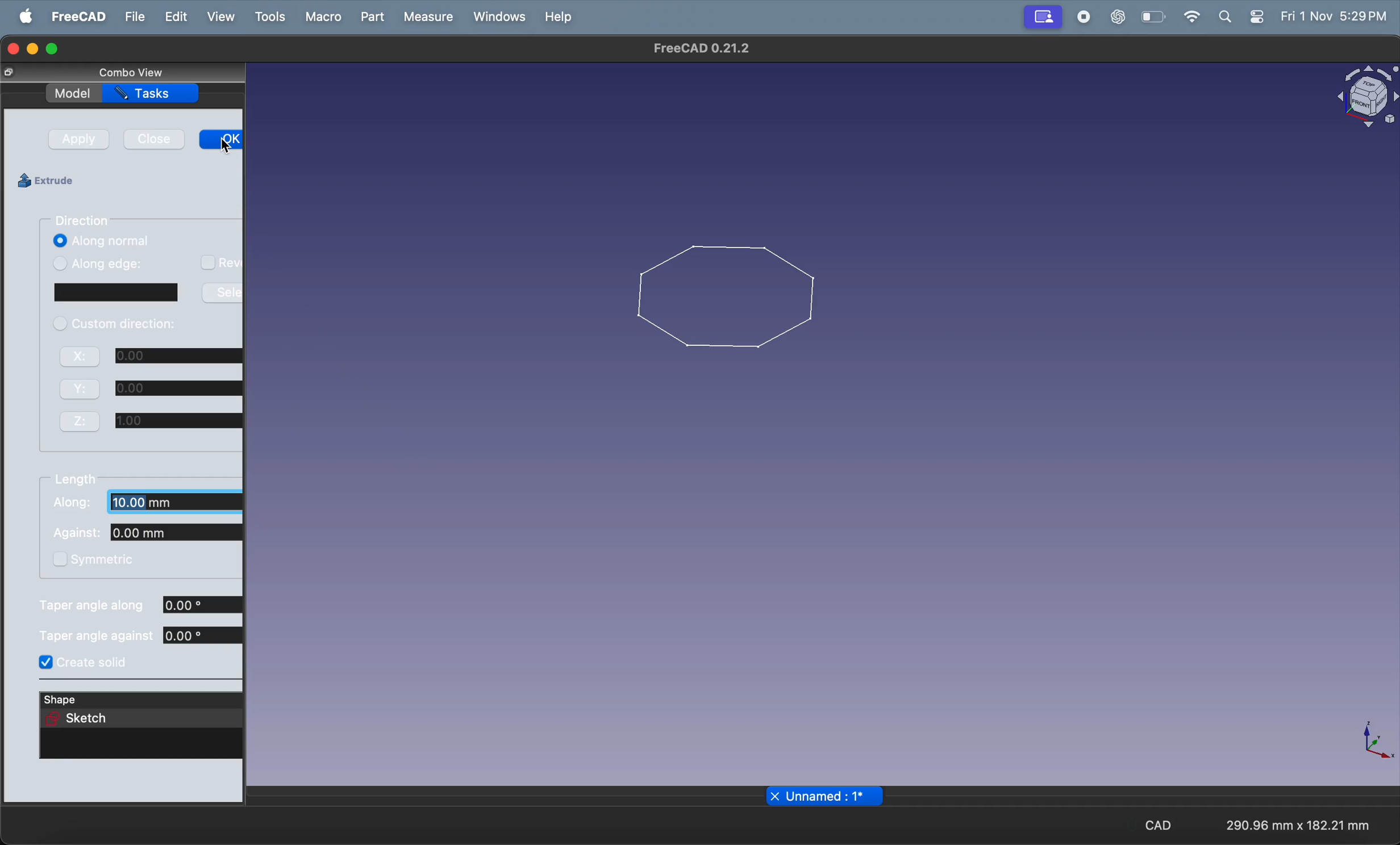 The height and width of the screenshot is (845, 1400). I want to click on custom direction, so click(124, 324).